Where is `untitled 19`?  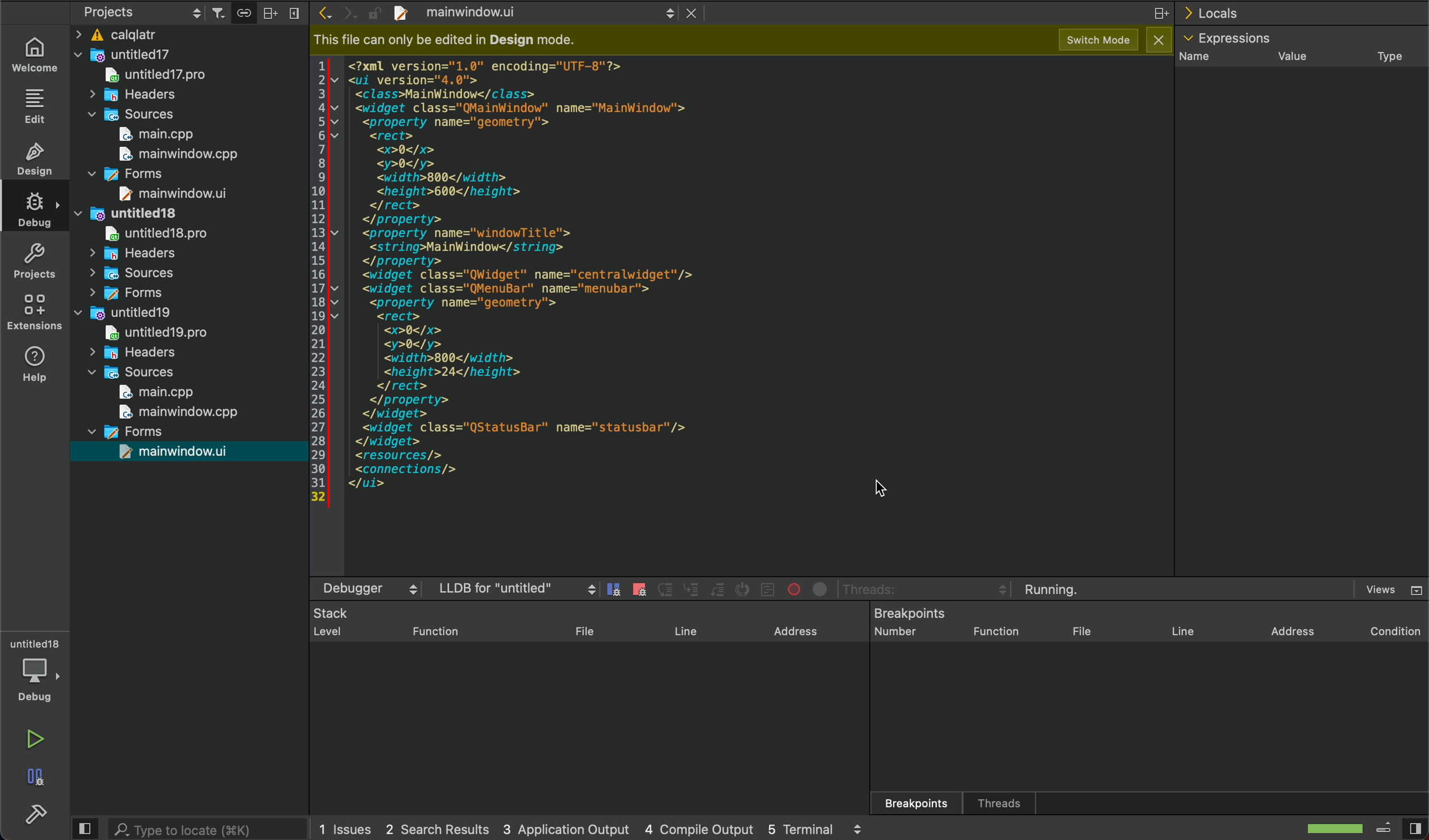 untitled 19 is located at coordinates (121, 314).